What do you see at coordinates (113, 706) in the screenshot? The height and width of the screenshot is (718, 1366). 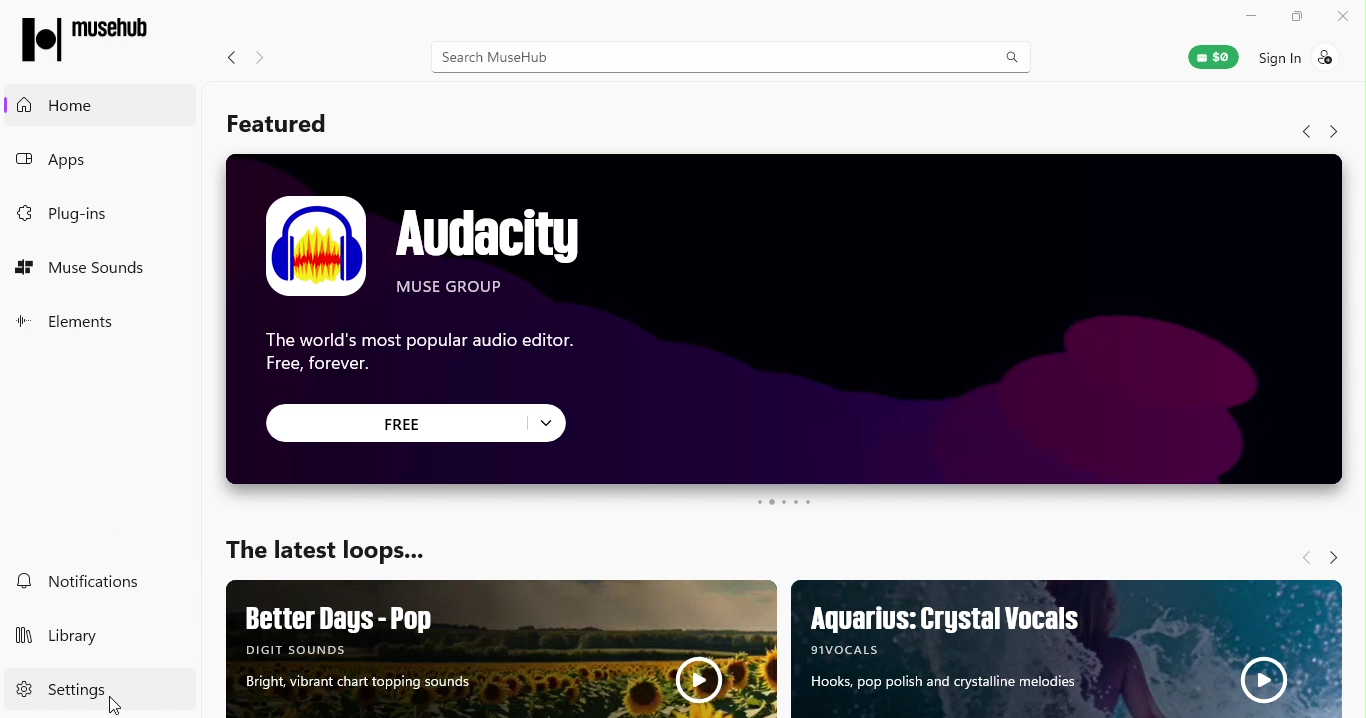 I see `Cursor` at bounding box center [113, 706].